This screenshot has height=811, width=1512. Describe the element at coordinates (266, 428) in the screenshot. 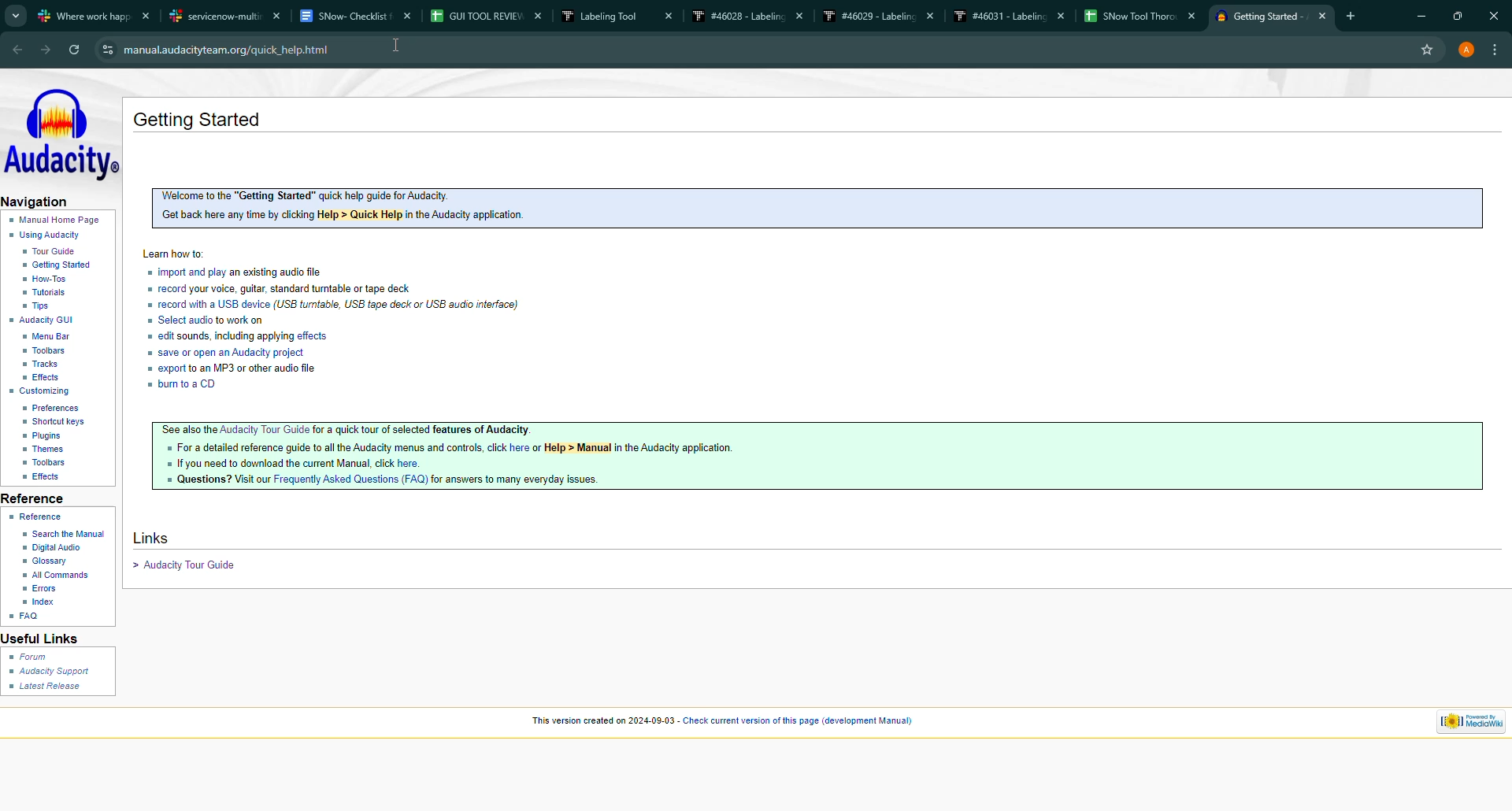

I see `Audacity Tour Guide` at that location.